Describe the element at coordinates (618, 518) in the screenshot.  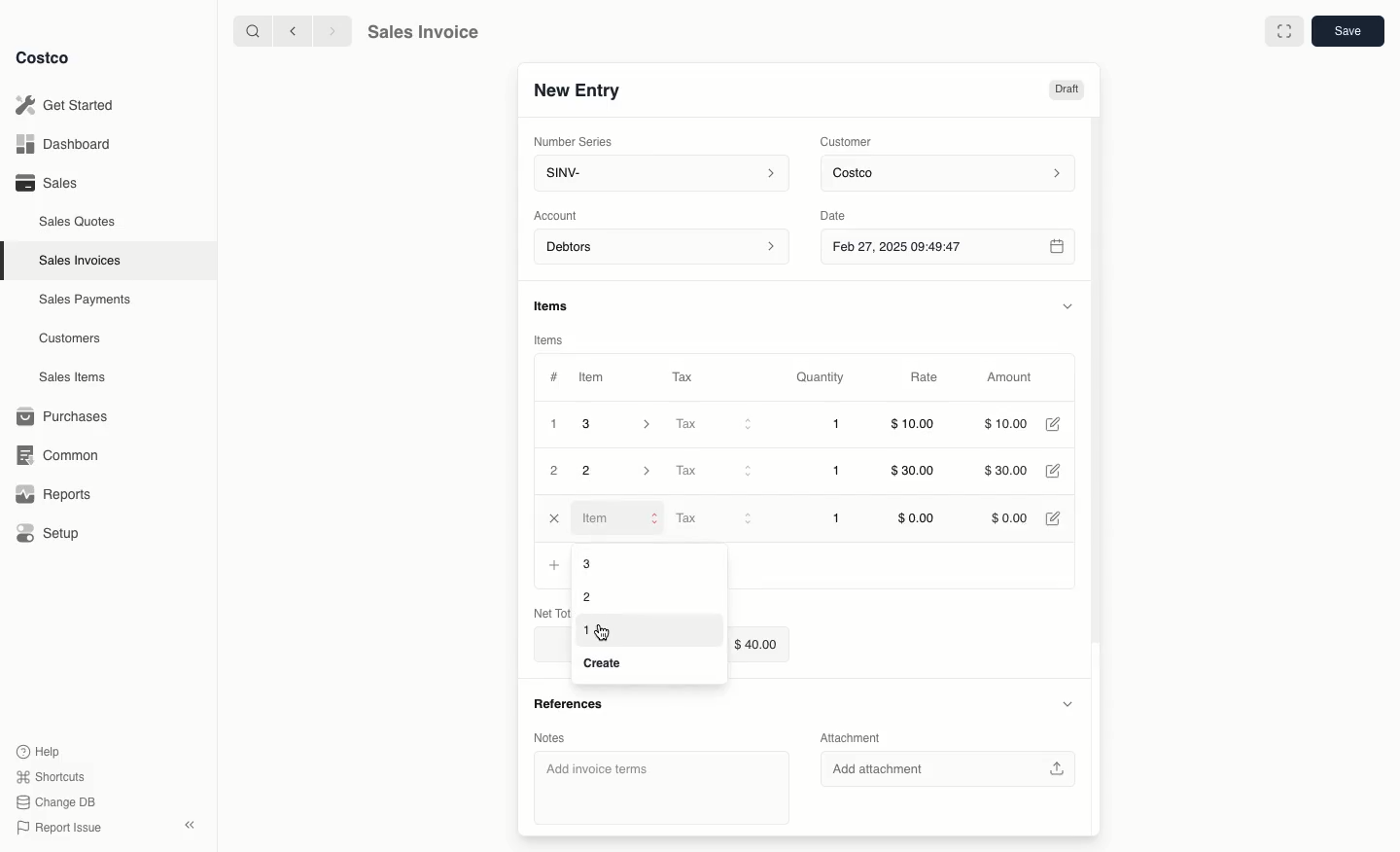
I see `Item` at that location.